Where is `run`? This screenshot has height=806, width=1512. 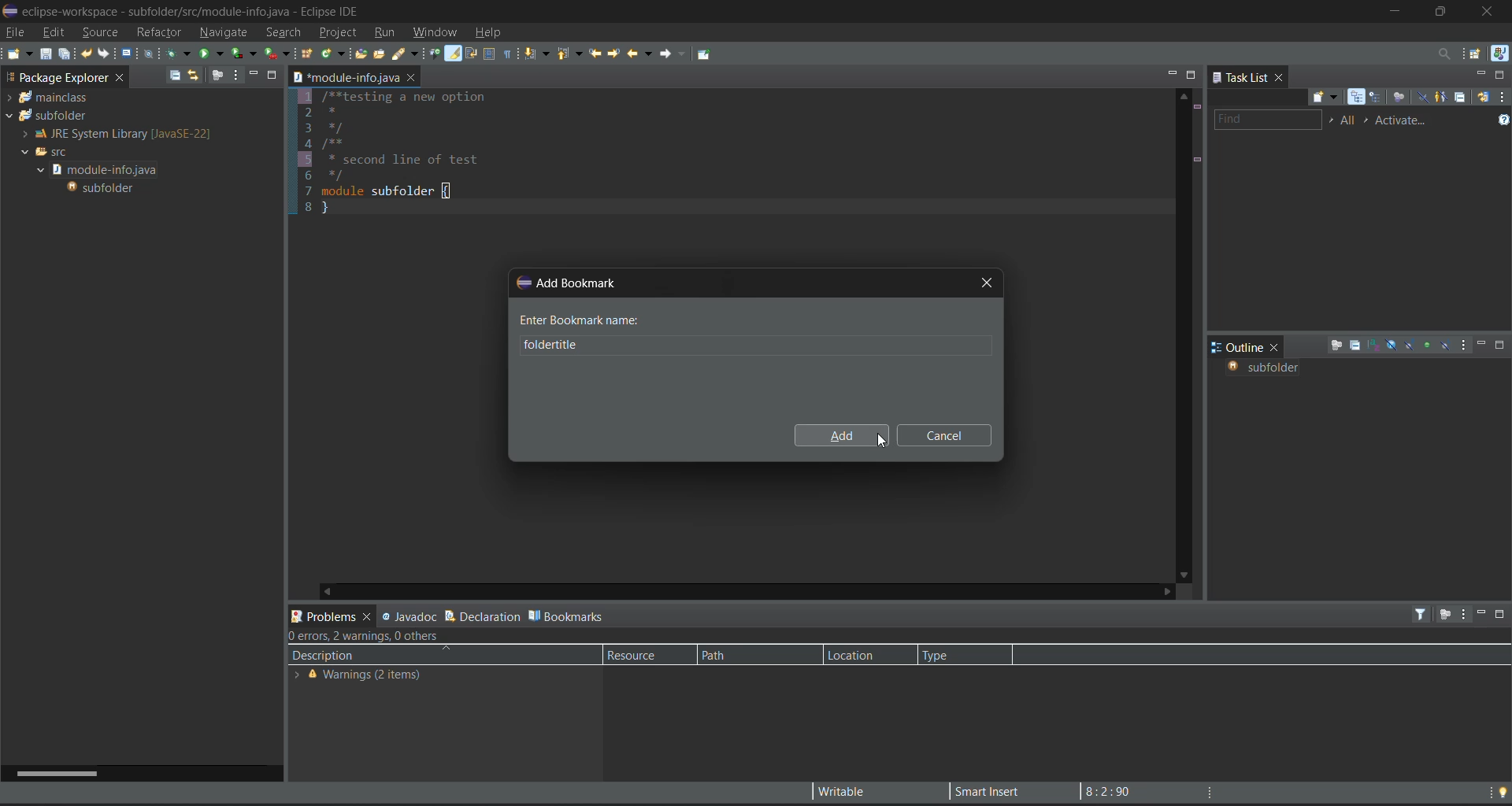
run is located at coordinates (213, 52).